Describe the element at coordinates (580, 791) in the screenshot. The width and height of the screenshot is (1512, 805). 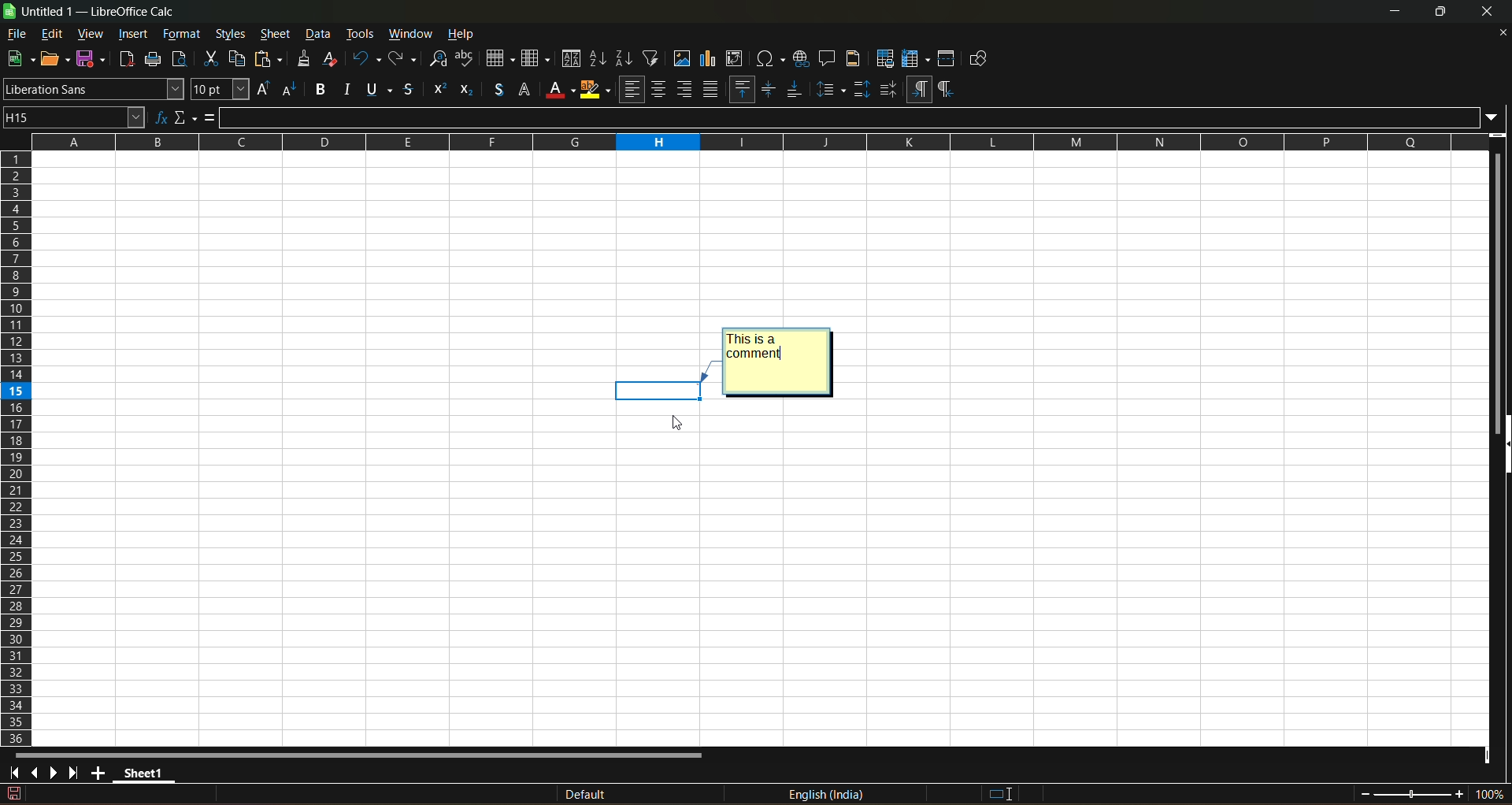
I see `default` at that location.